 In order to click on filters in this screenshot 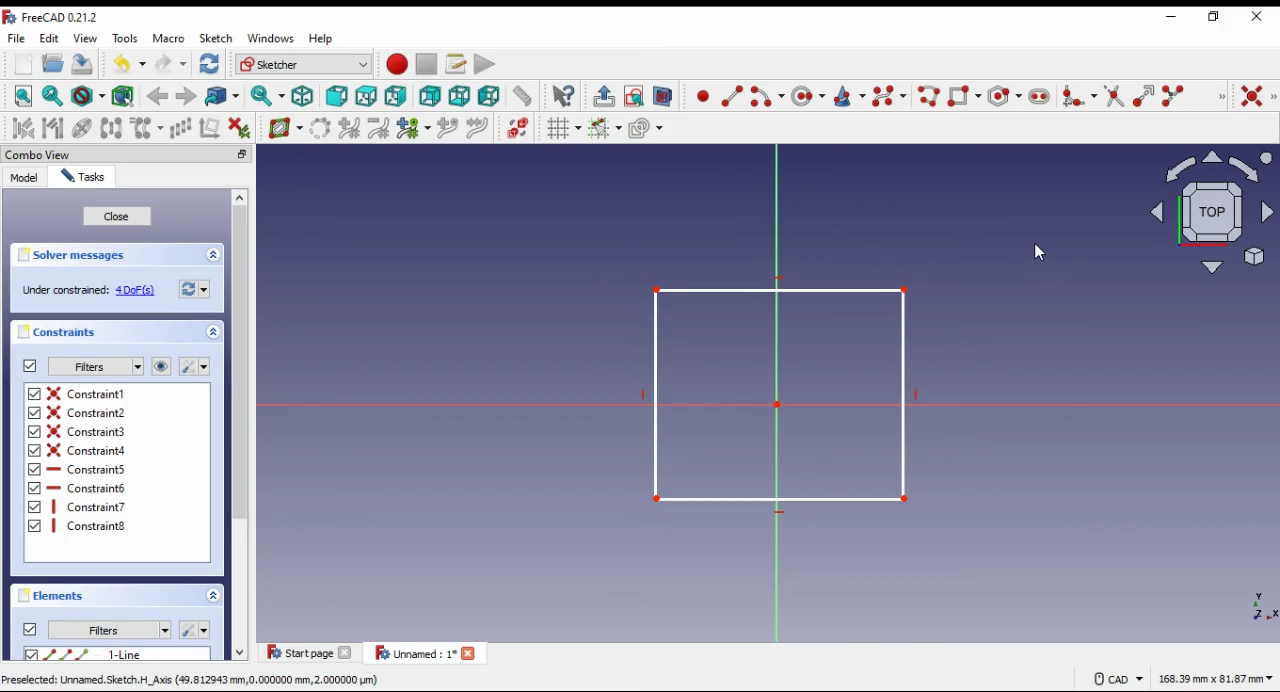, I will do `click(109, 630)`.